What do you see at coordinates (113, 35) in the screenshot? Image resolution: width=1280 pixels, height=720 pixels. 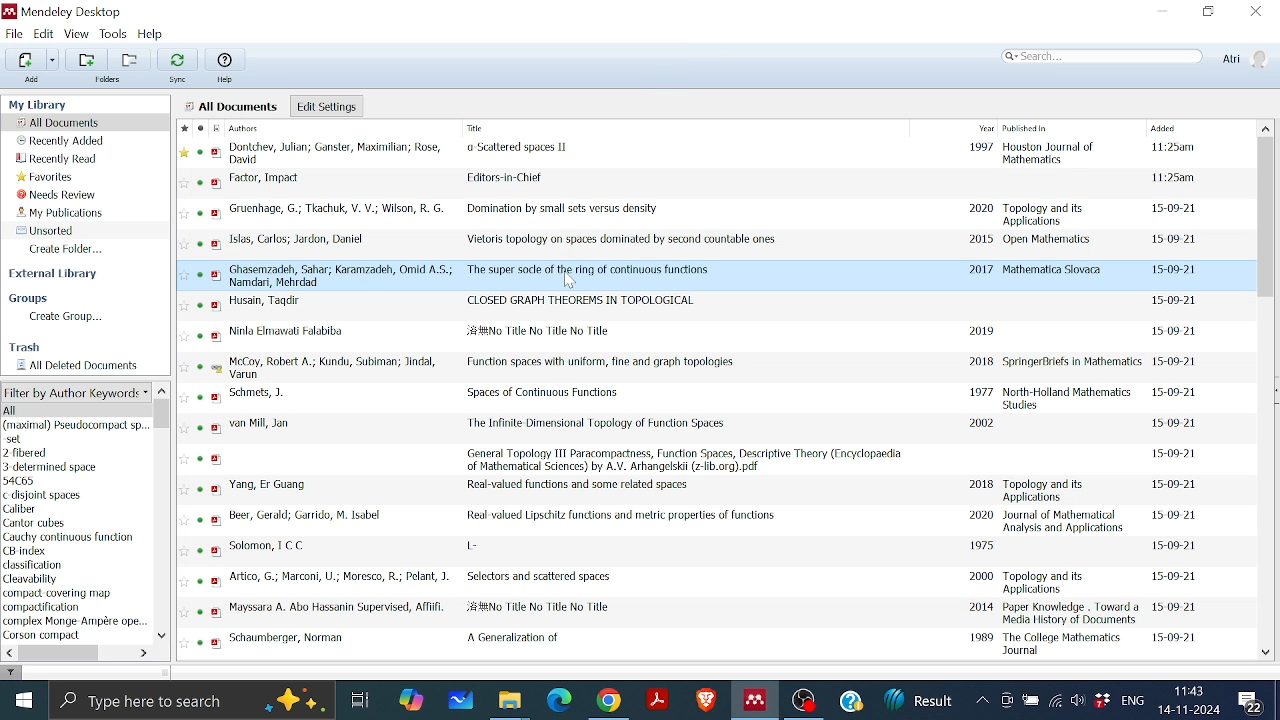 I see `Tools` at bounding box center [113, 35].